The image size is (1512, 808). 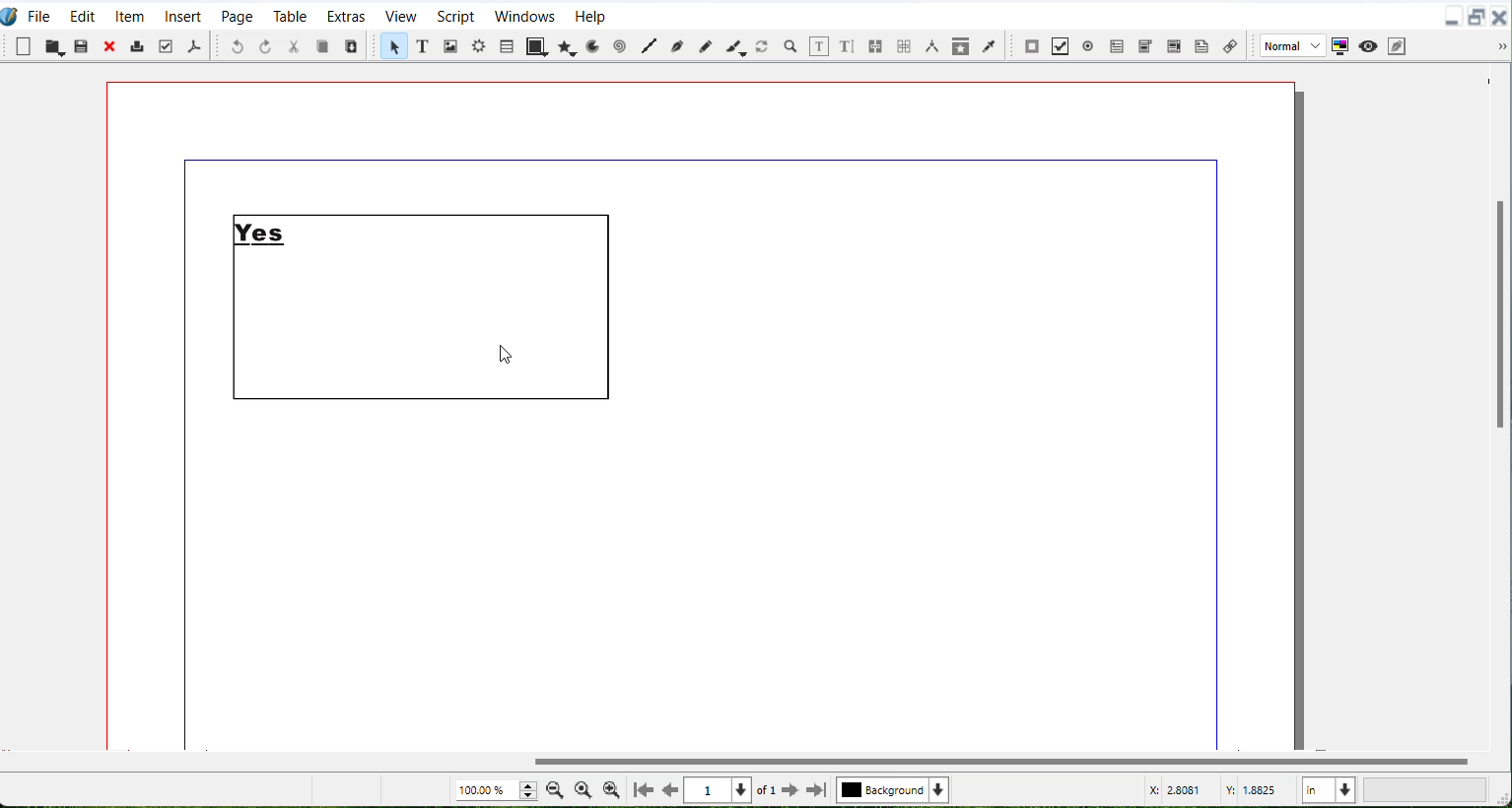 What do you see at coordinates (449, 45) in the screenshot?
I see `Image Frame` at bounding box center [449, 45].